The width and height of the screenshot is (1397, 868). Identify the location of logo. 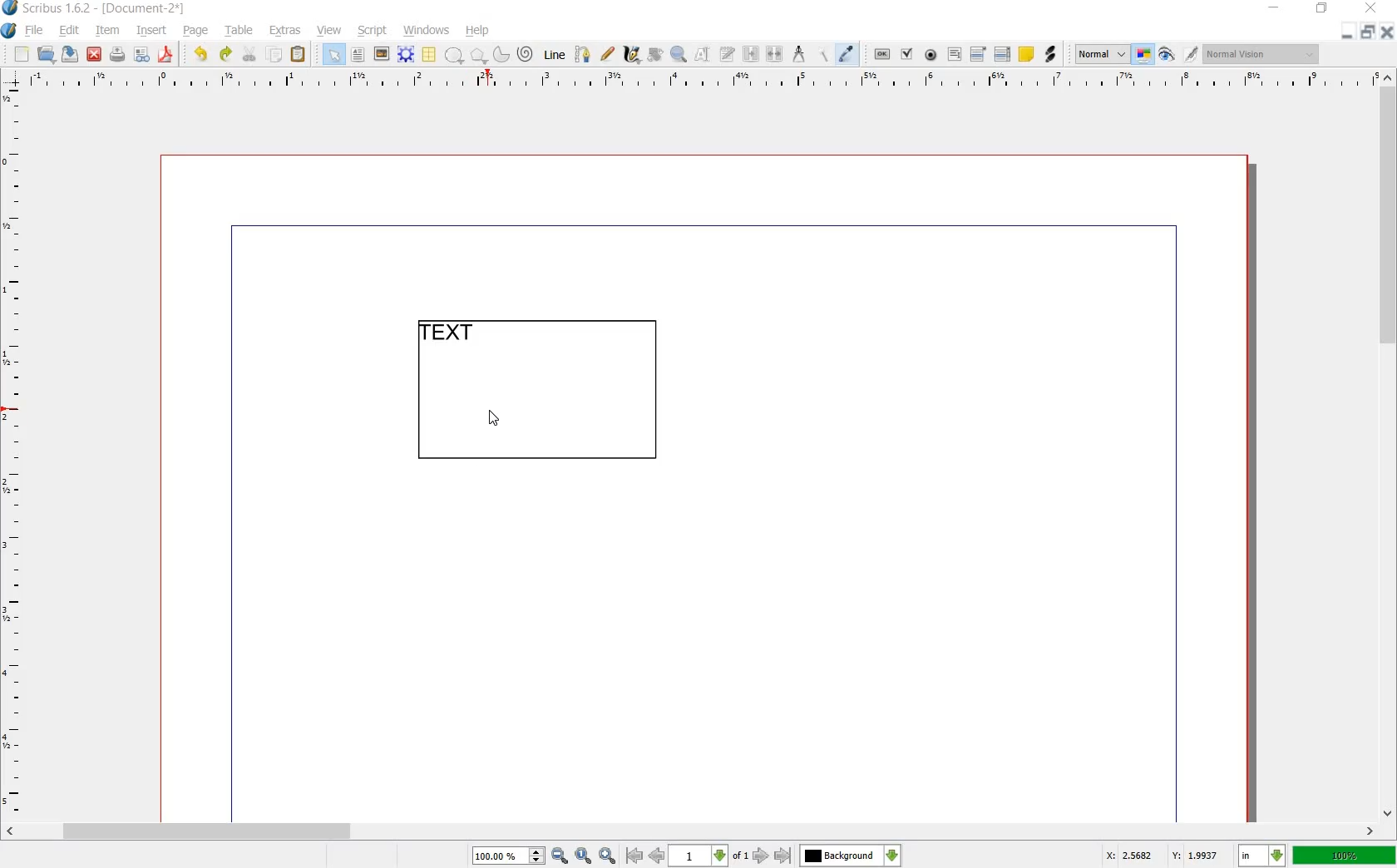
(11, 9).